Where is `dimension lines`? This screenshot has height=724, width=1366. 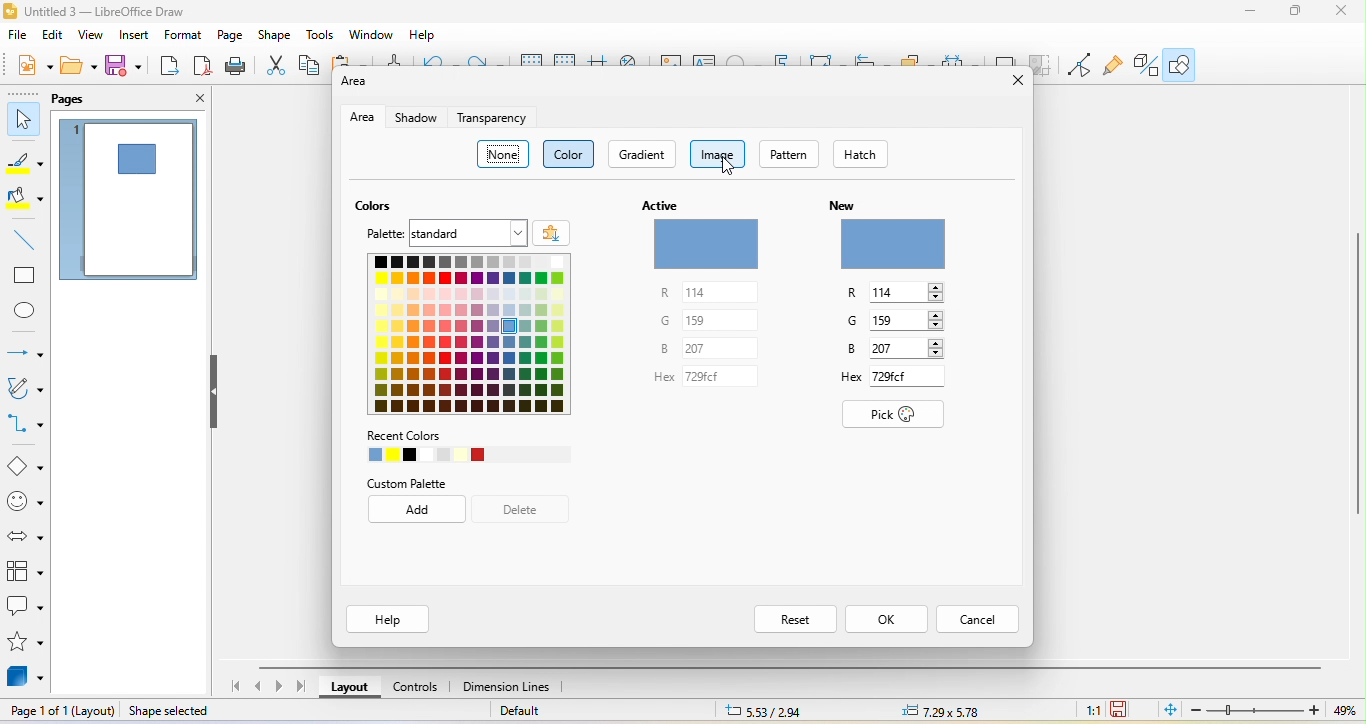
dimension lines is located at coordinates (517, 687).